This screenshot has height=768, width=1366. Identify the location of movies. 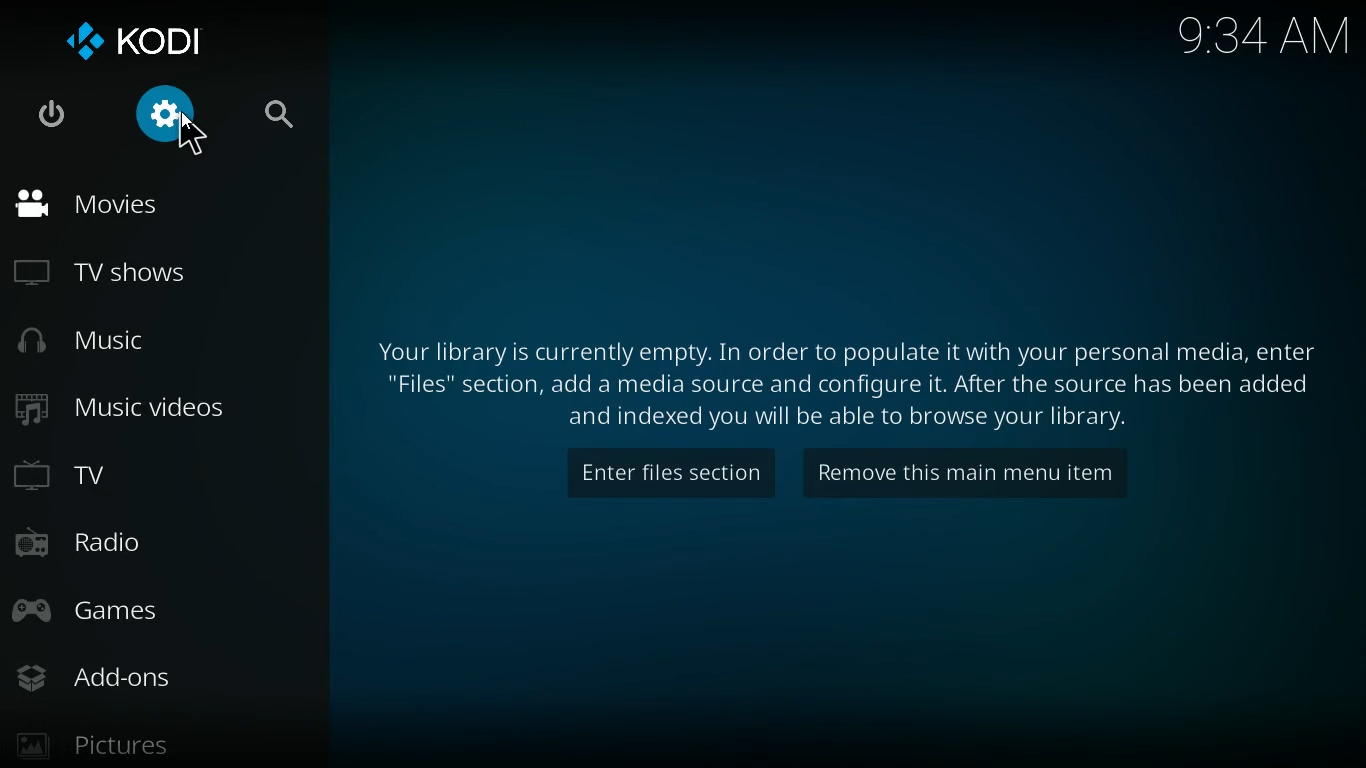
(126, 205).